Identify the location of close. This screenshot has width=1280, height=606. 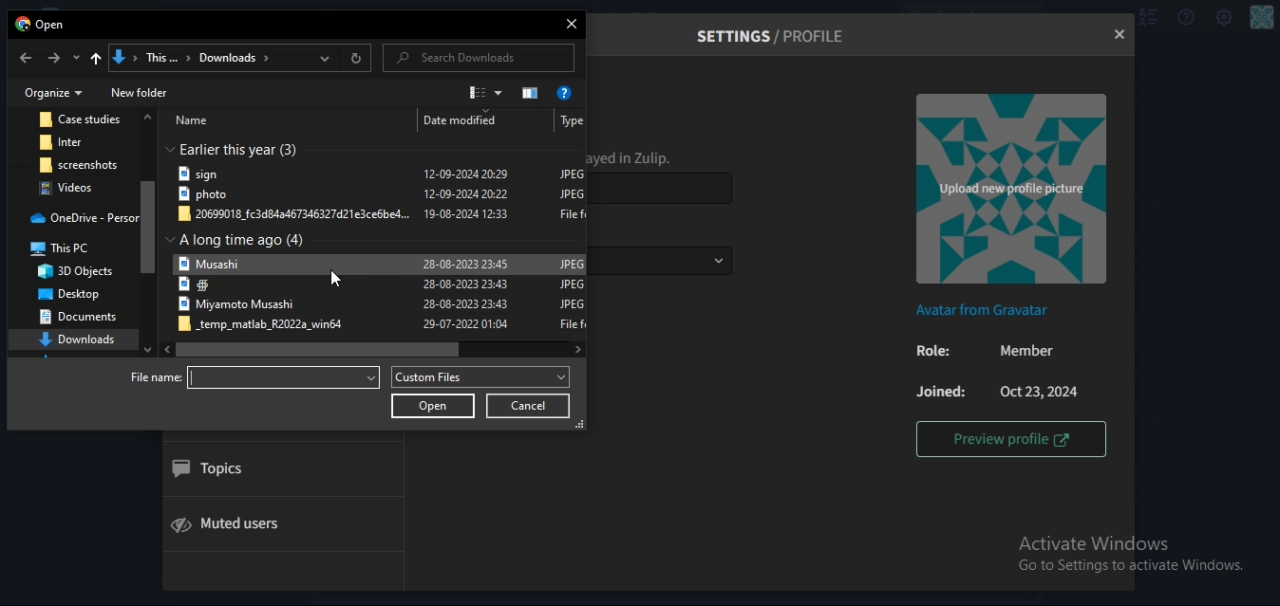
(573, 26).